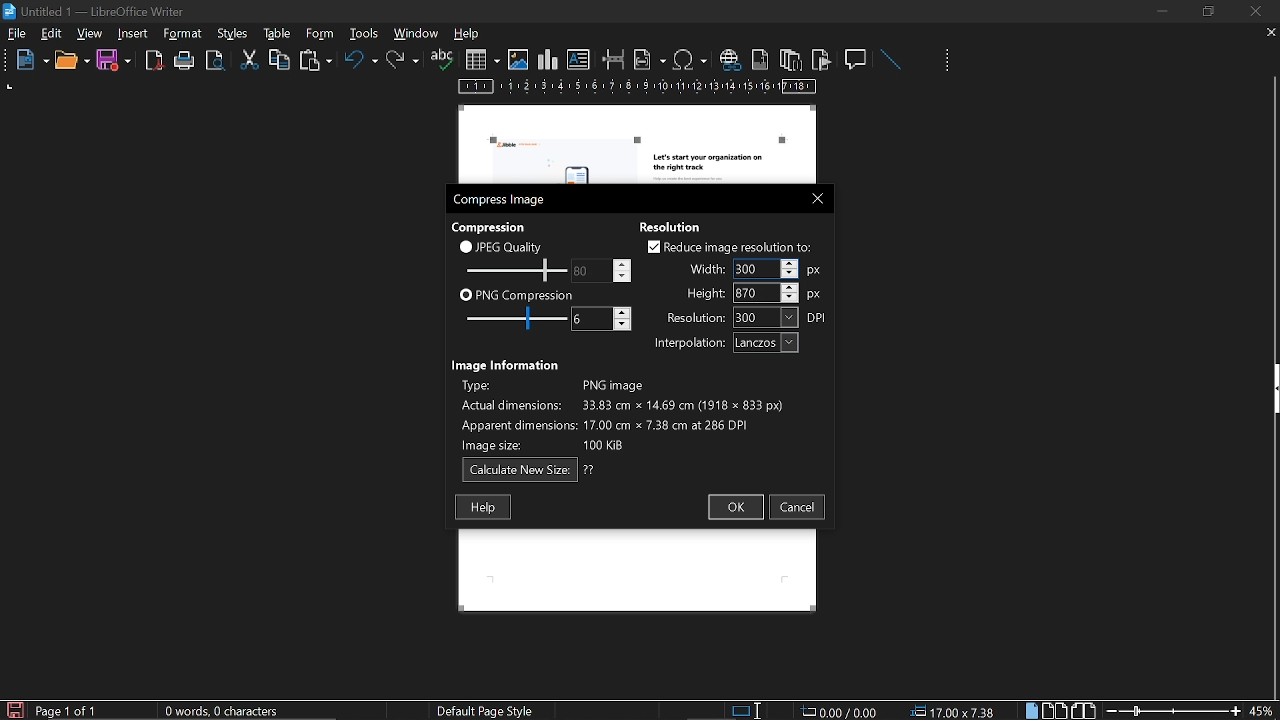  Describe the element at coordinates (614, 60) in the screenshot. I see `insert page break` at that location.